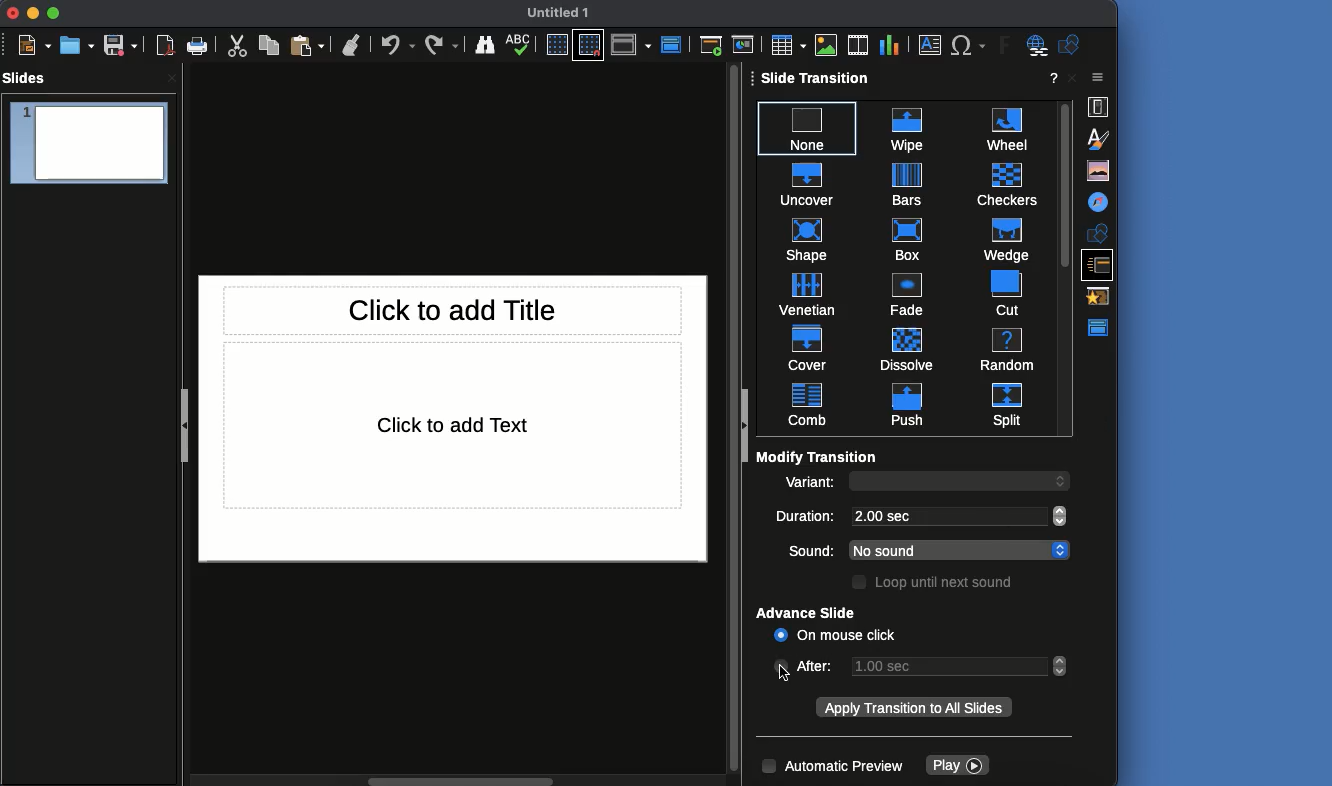 The width and height of the screenshot is (1332, 786). I want to click on split, so click(1007, 404).